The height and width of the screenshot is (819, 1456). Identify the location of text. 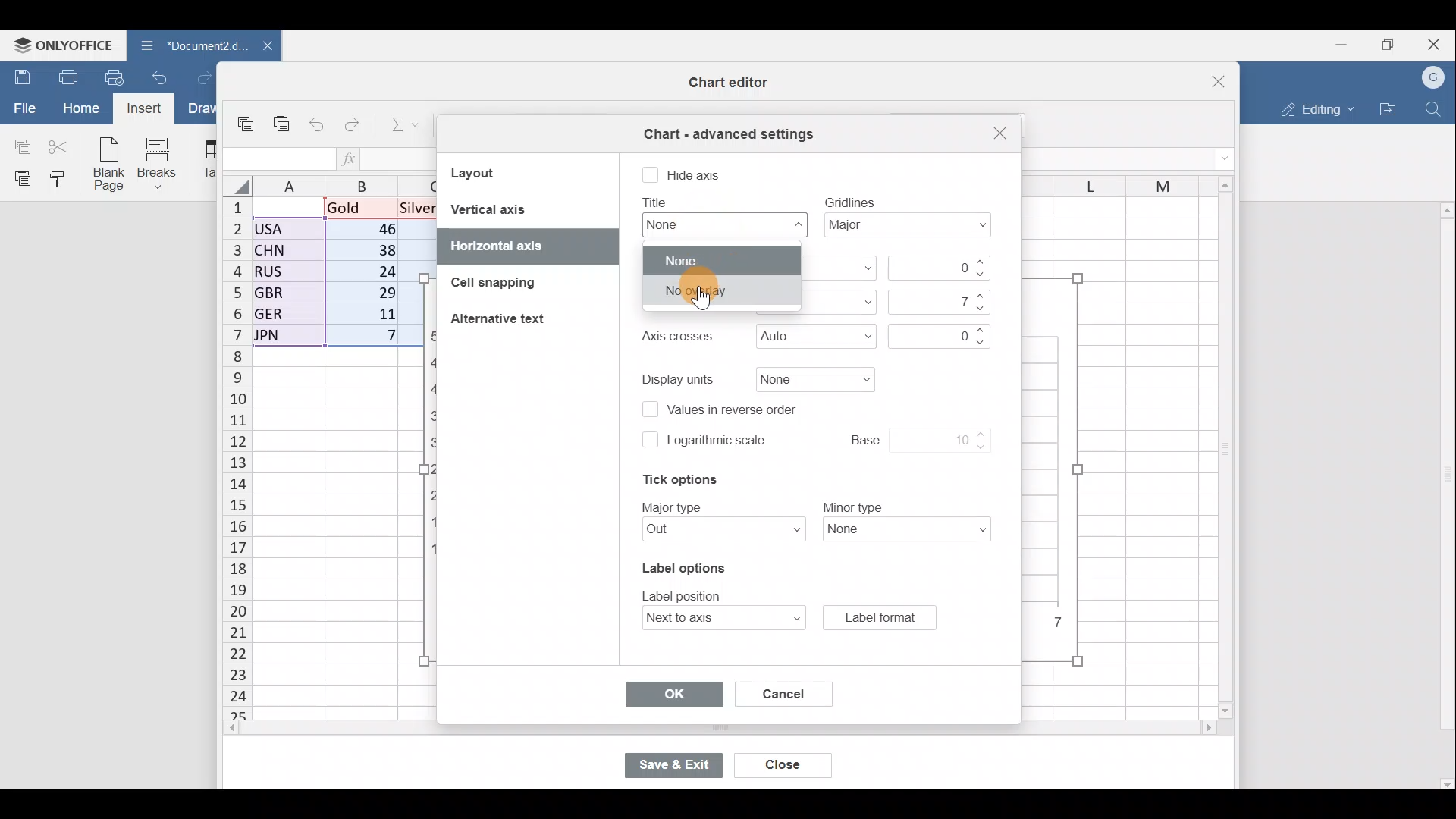
(674, 506).